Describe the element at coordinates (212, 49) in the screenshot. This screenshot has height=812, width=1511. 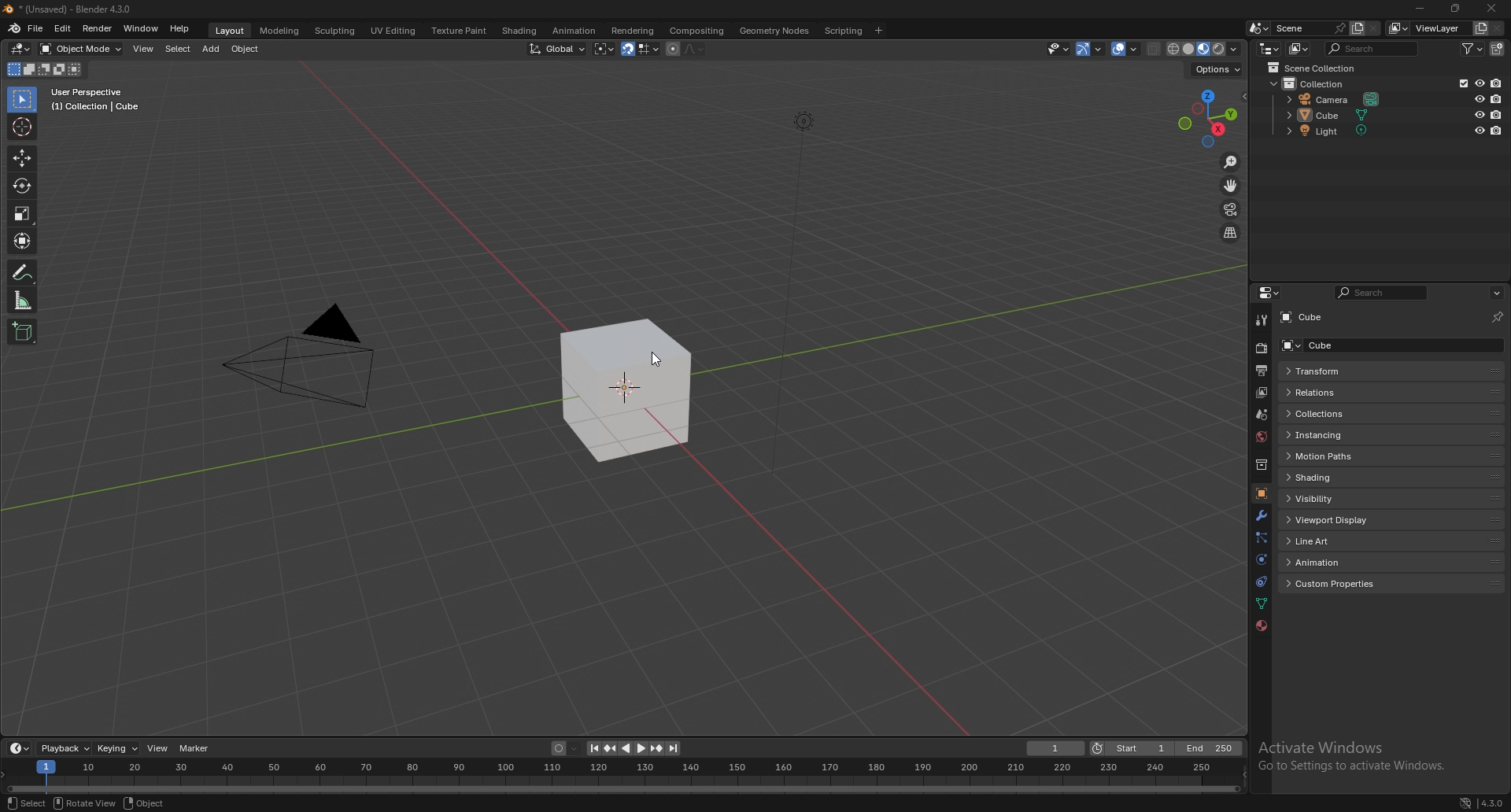
I see `add` at that location.